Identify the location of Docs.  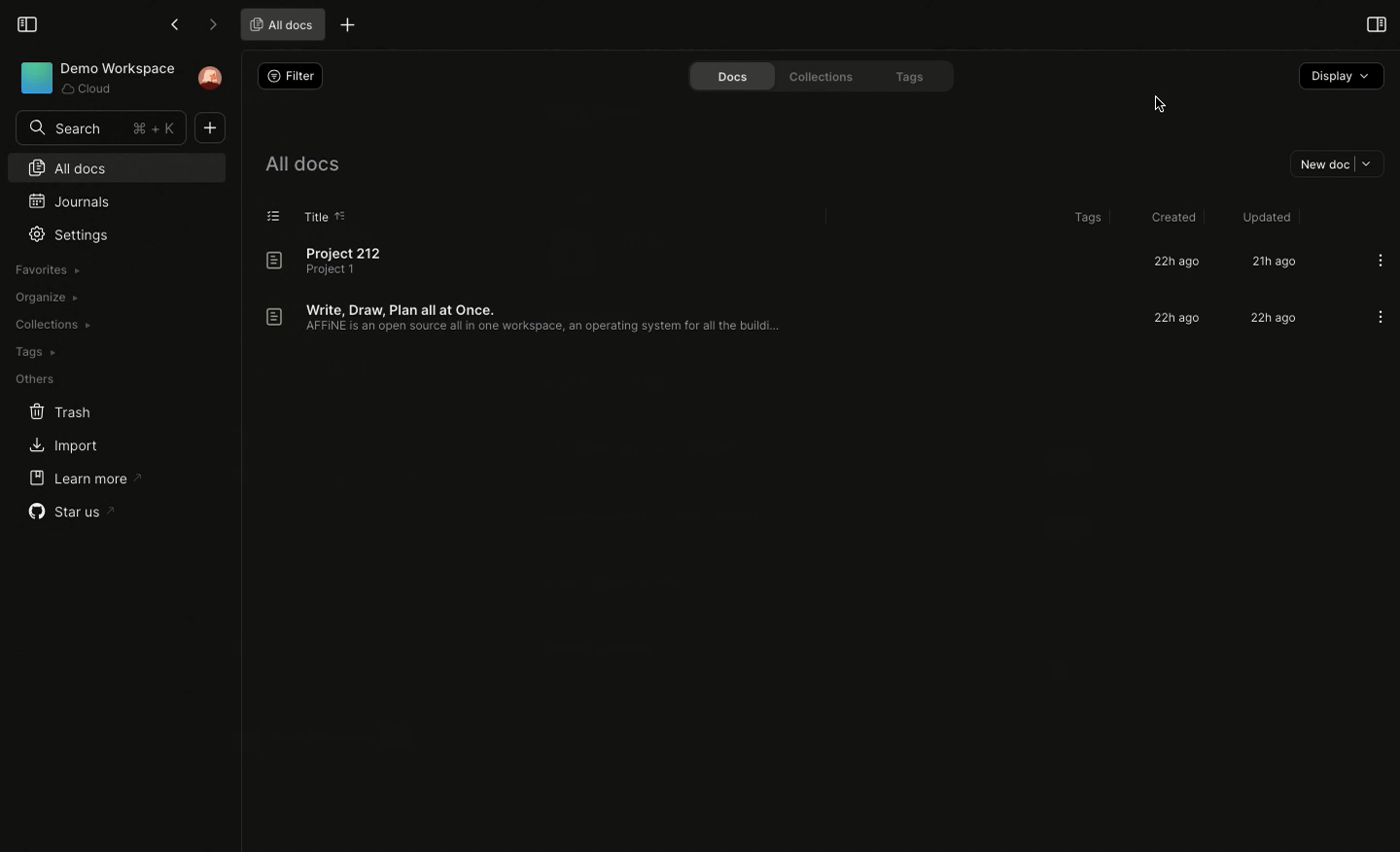
(727, 75).